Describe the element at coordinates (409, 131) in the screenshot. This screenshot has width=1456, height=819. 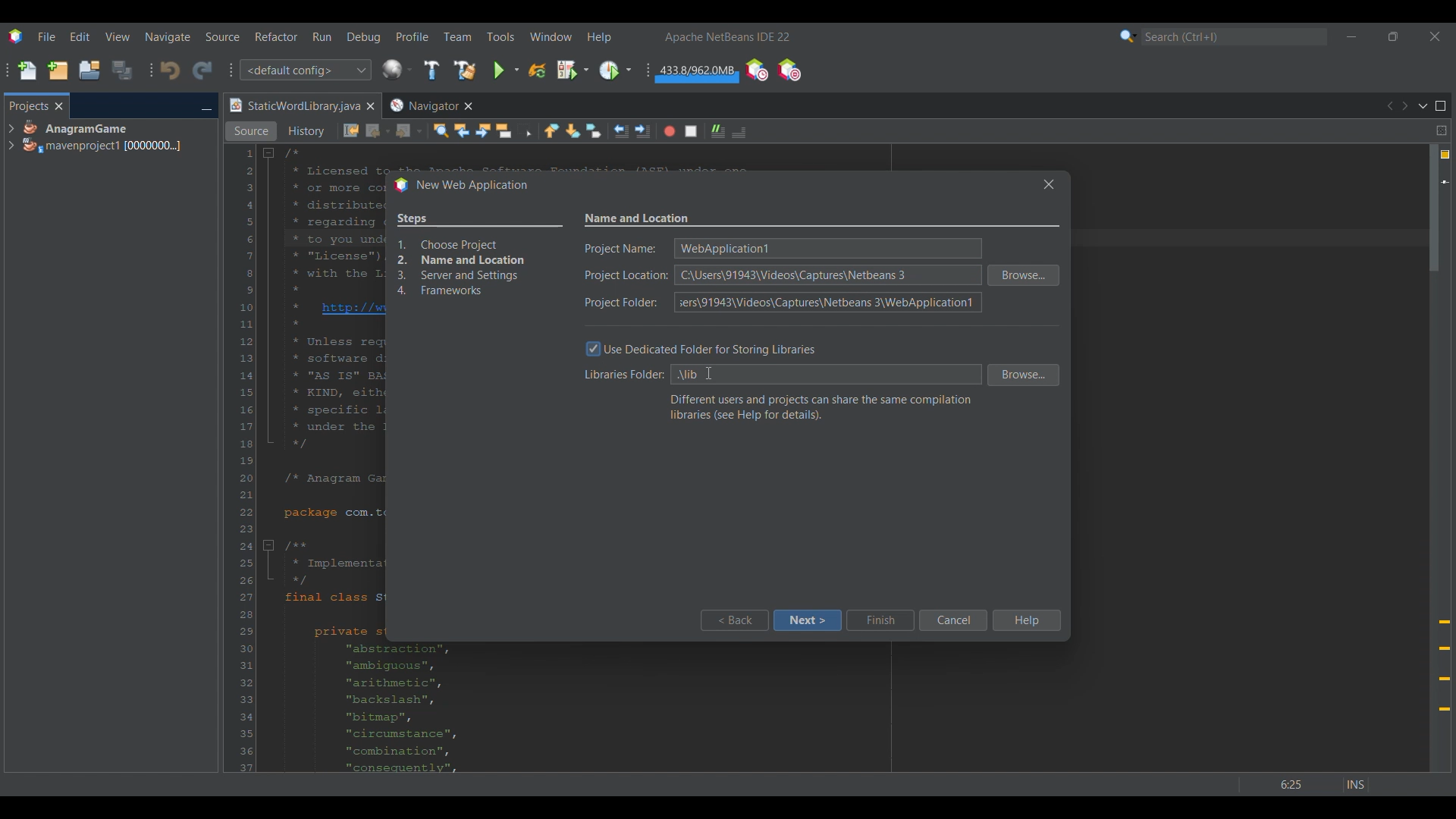
I see `Forward` at that location.